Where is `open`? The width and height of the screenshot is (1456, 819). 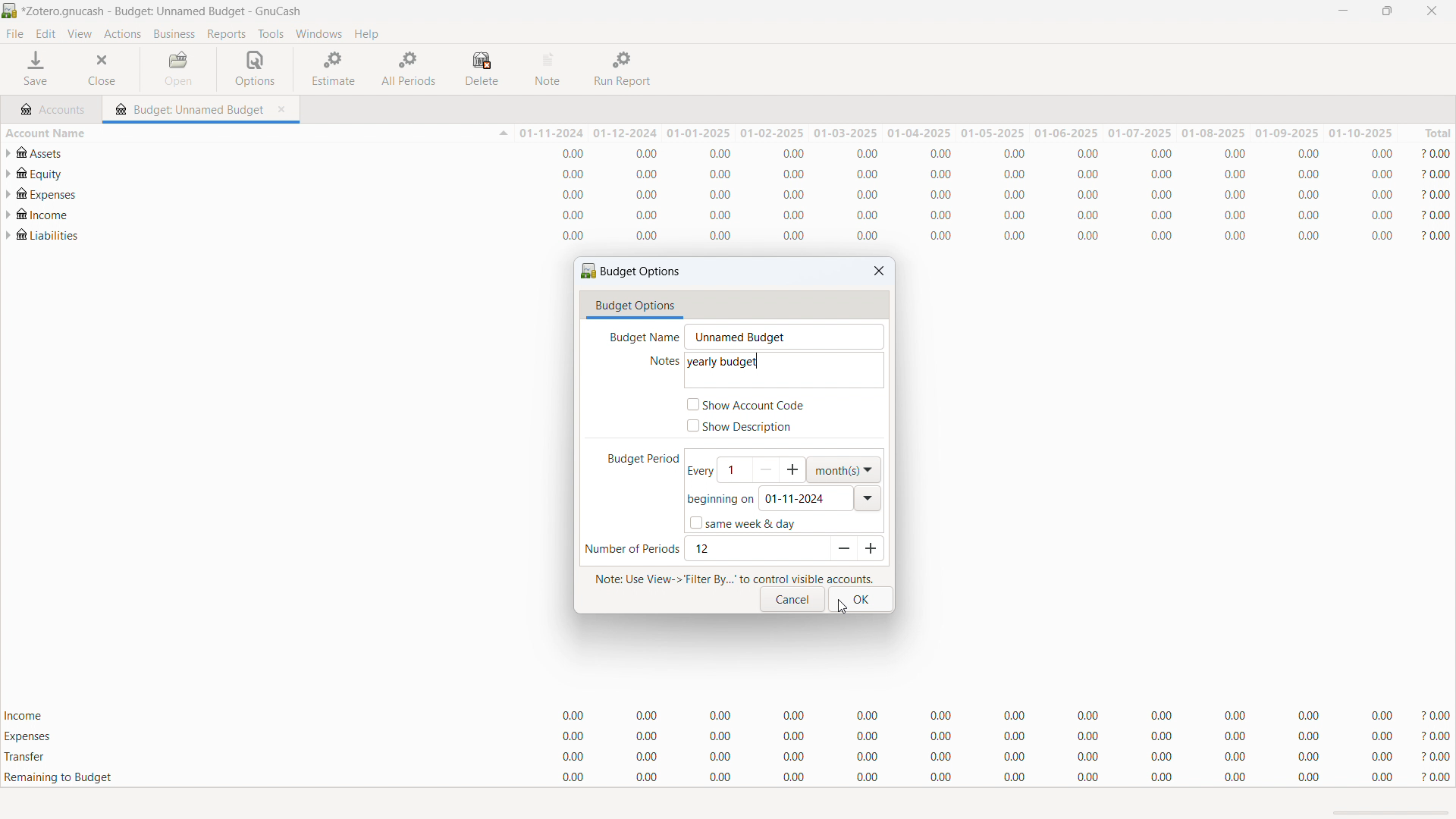
open is located at coordinates (179, 69).